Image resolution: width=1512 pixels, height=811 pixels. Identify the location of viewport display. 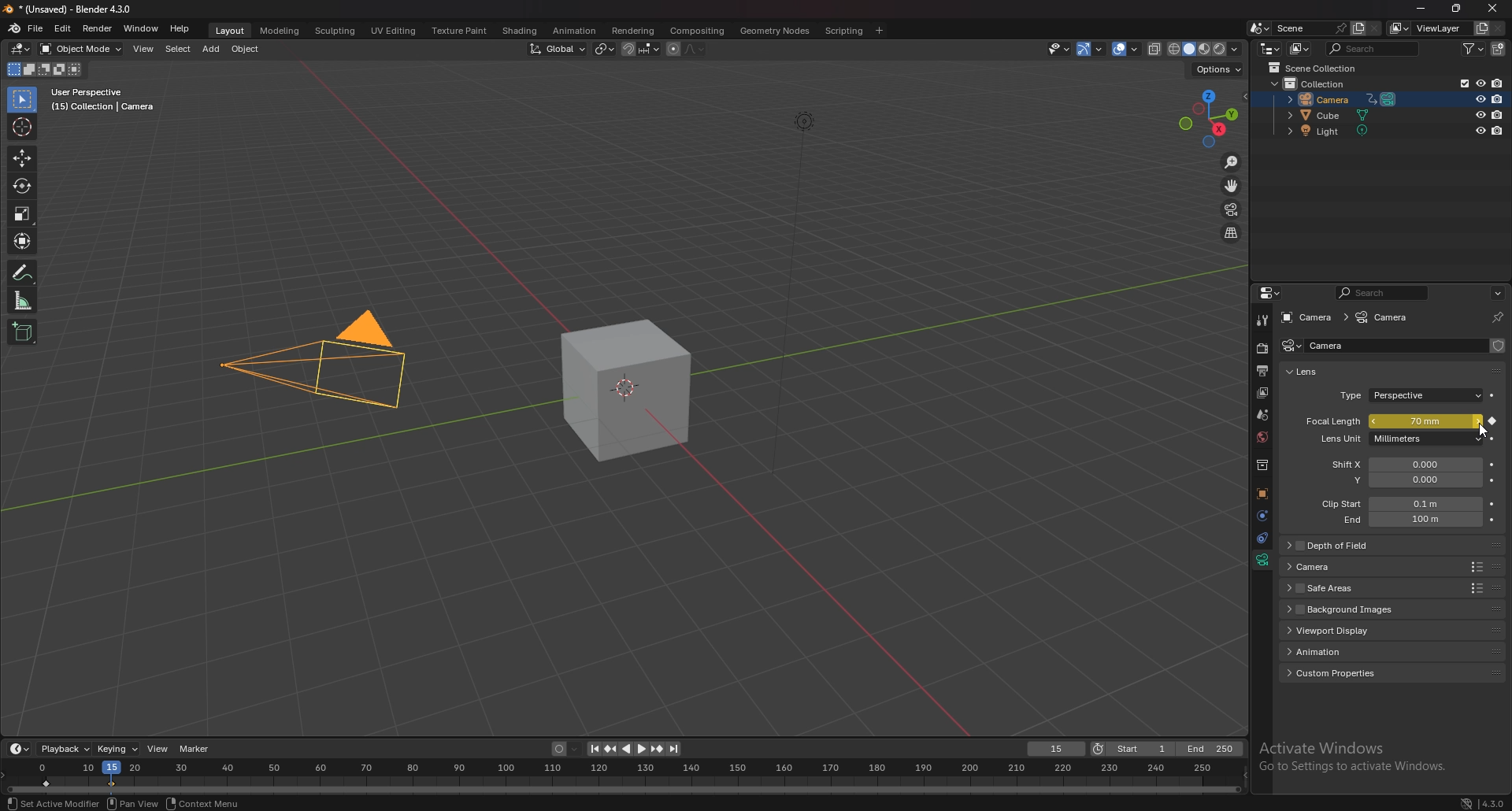
(1356, 630).